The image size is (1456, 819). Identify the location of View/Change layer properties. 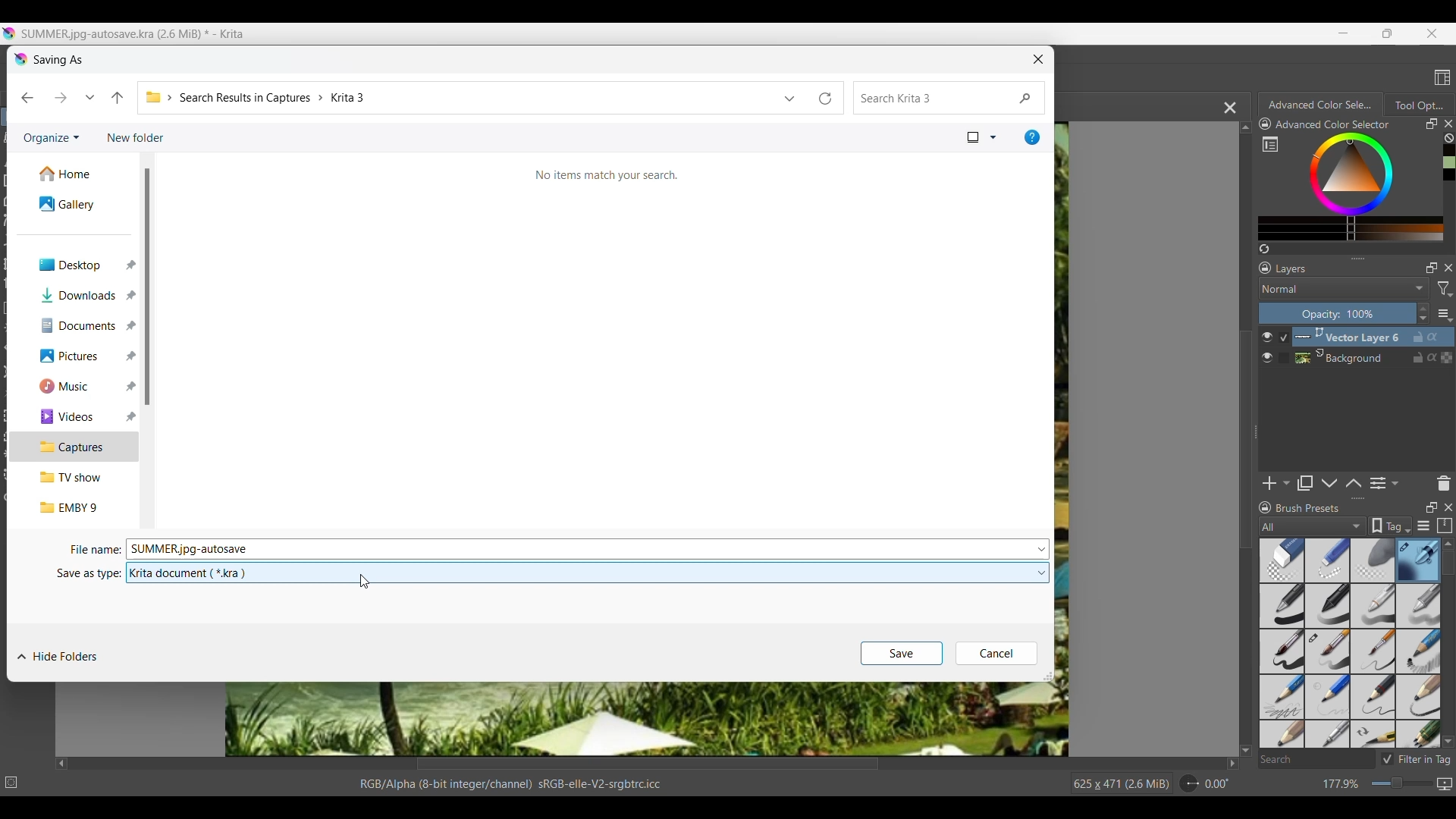
(1384, 483).